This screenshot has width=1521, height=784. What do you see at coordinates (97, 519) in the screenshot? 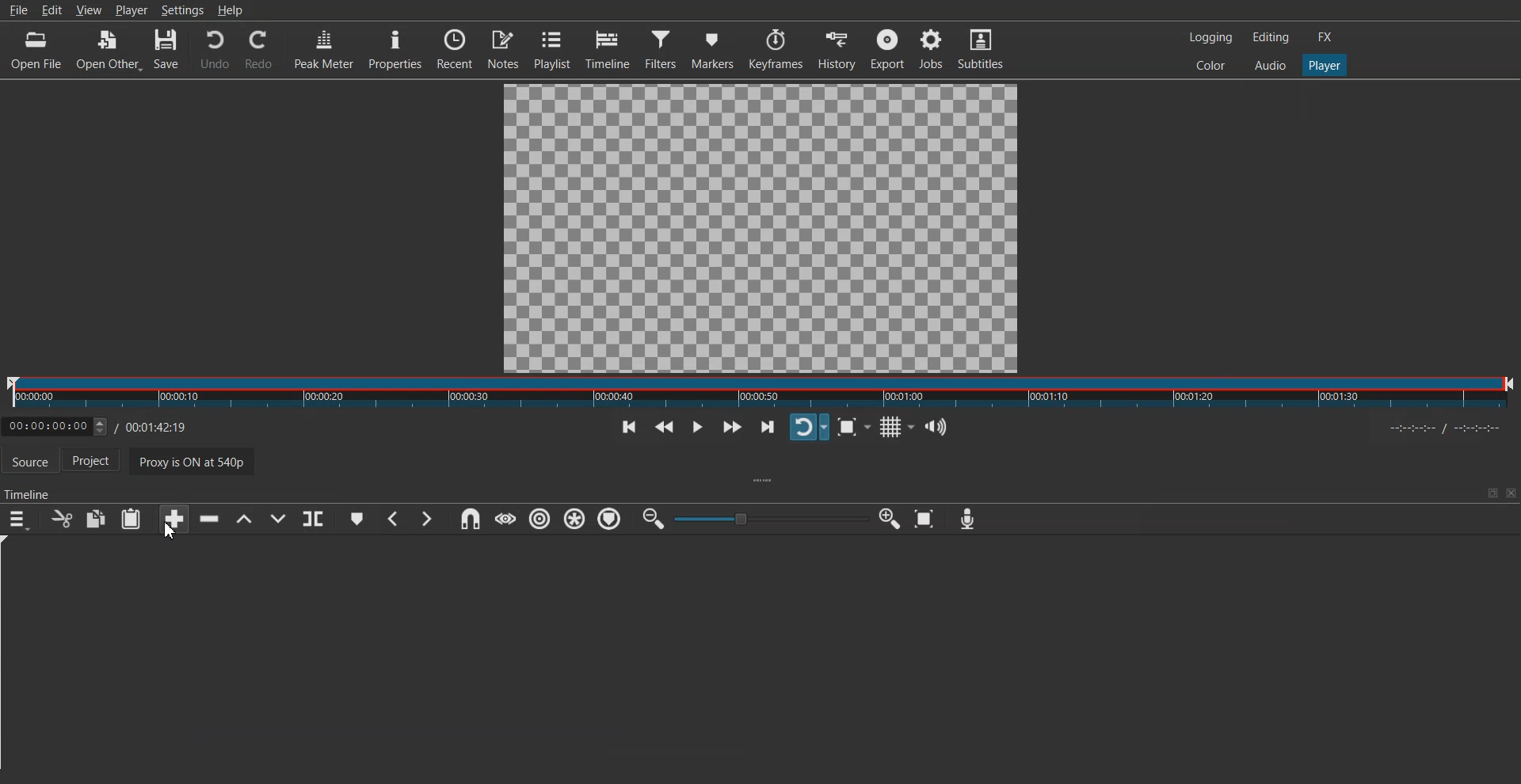
I see `Copy` at bounding box center [97, 519].